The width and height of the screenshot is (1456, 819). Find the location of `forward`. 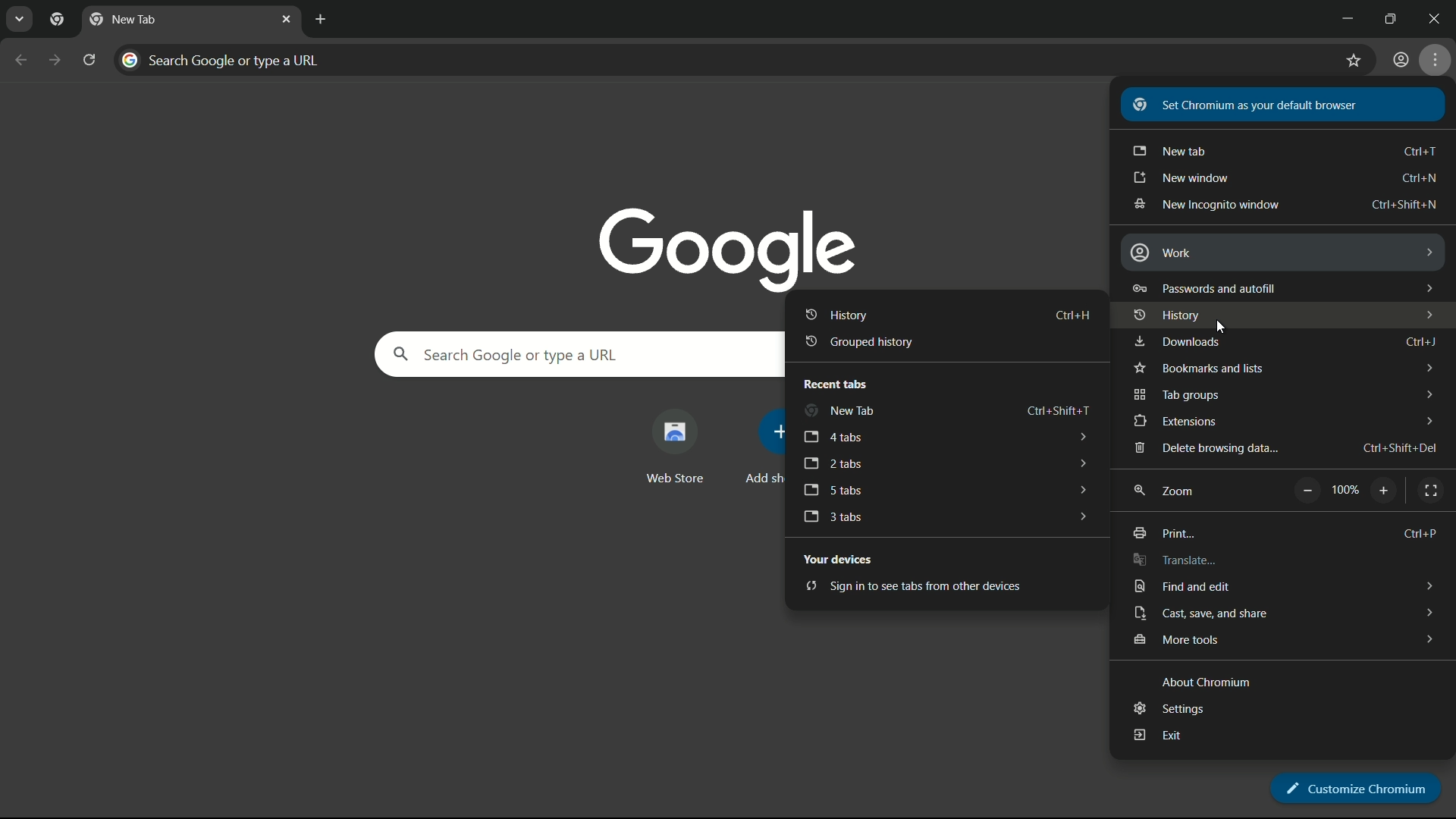

forward is located at coordinates (53, 60).